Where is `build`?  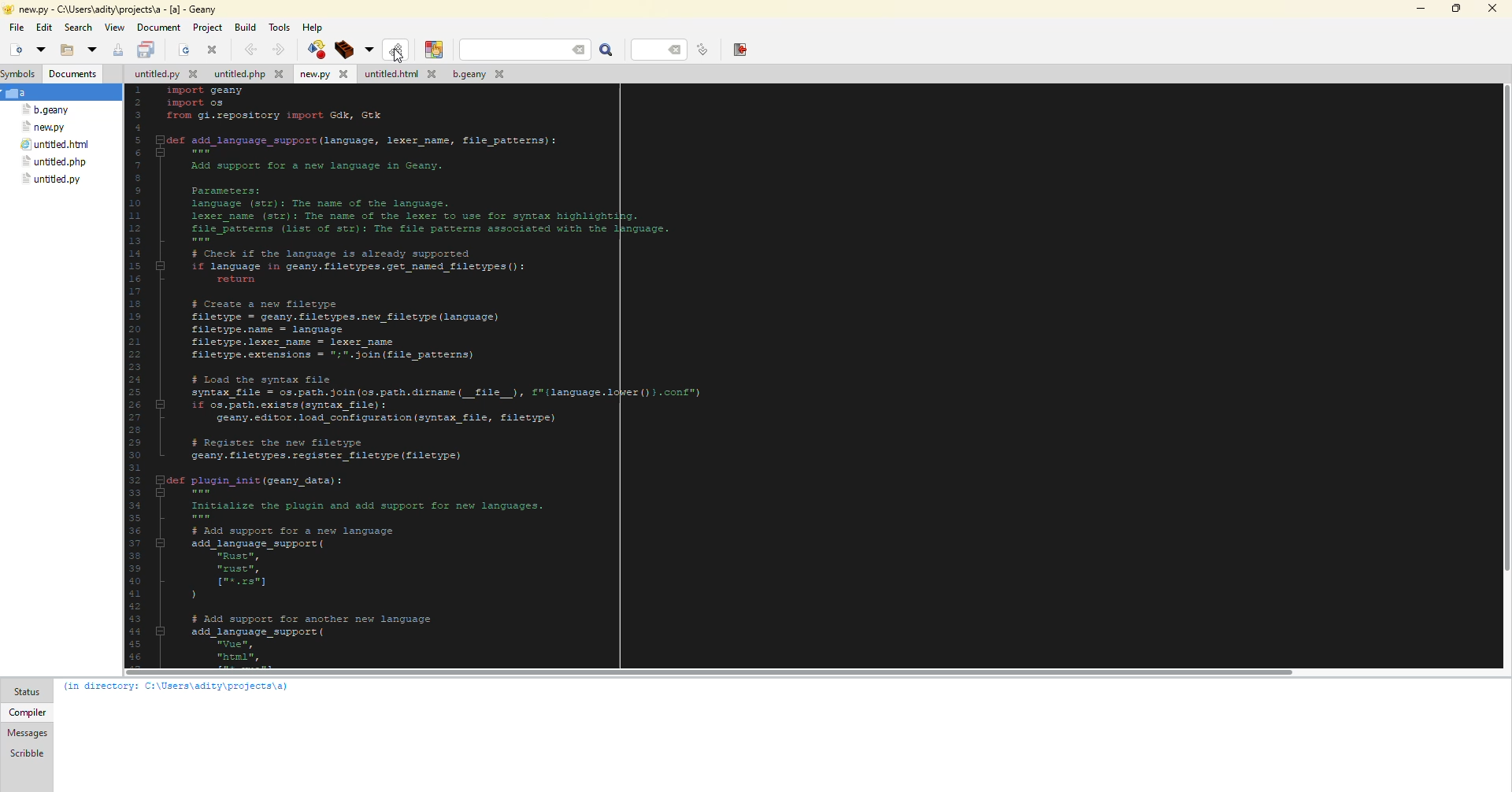 build is located at coordinates (246, 28).